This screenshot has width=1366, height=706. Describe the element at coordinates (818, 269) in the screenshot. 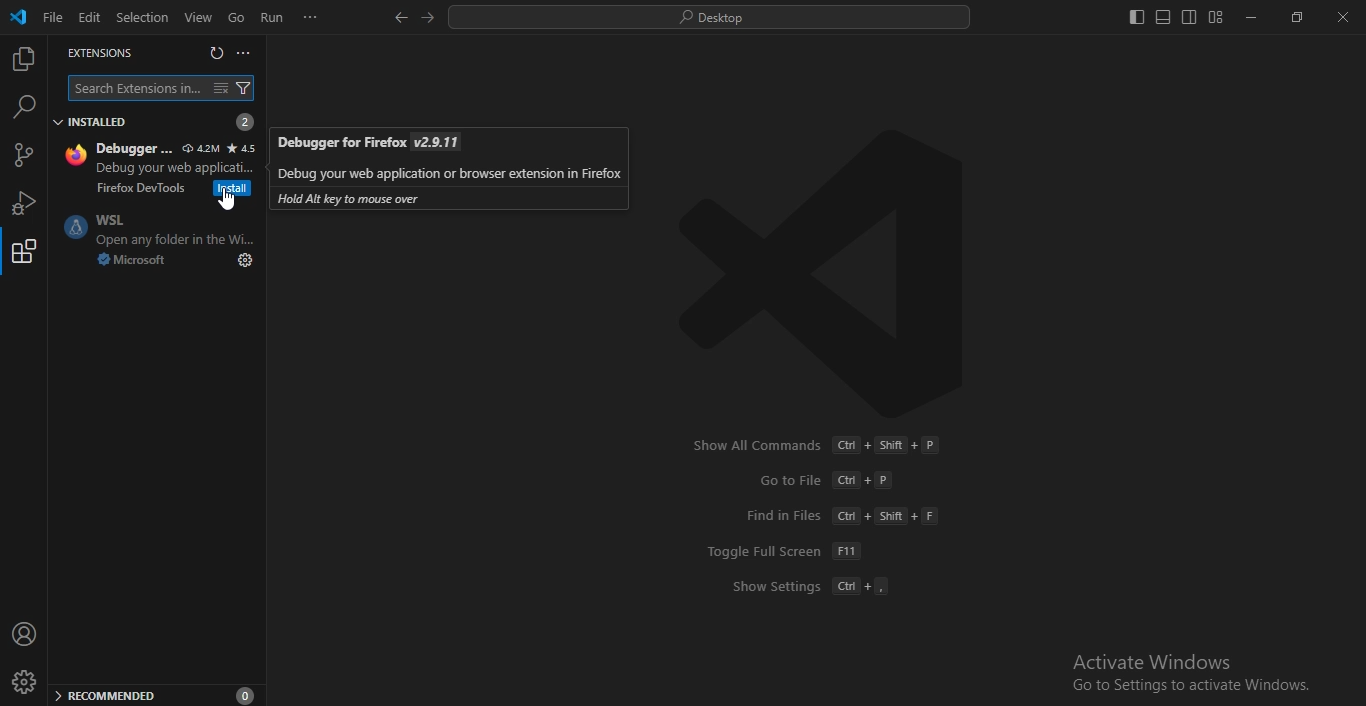

I see `vscode icon` at that location.